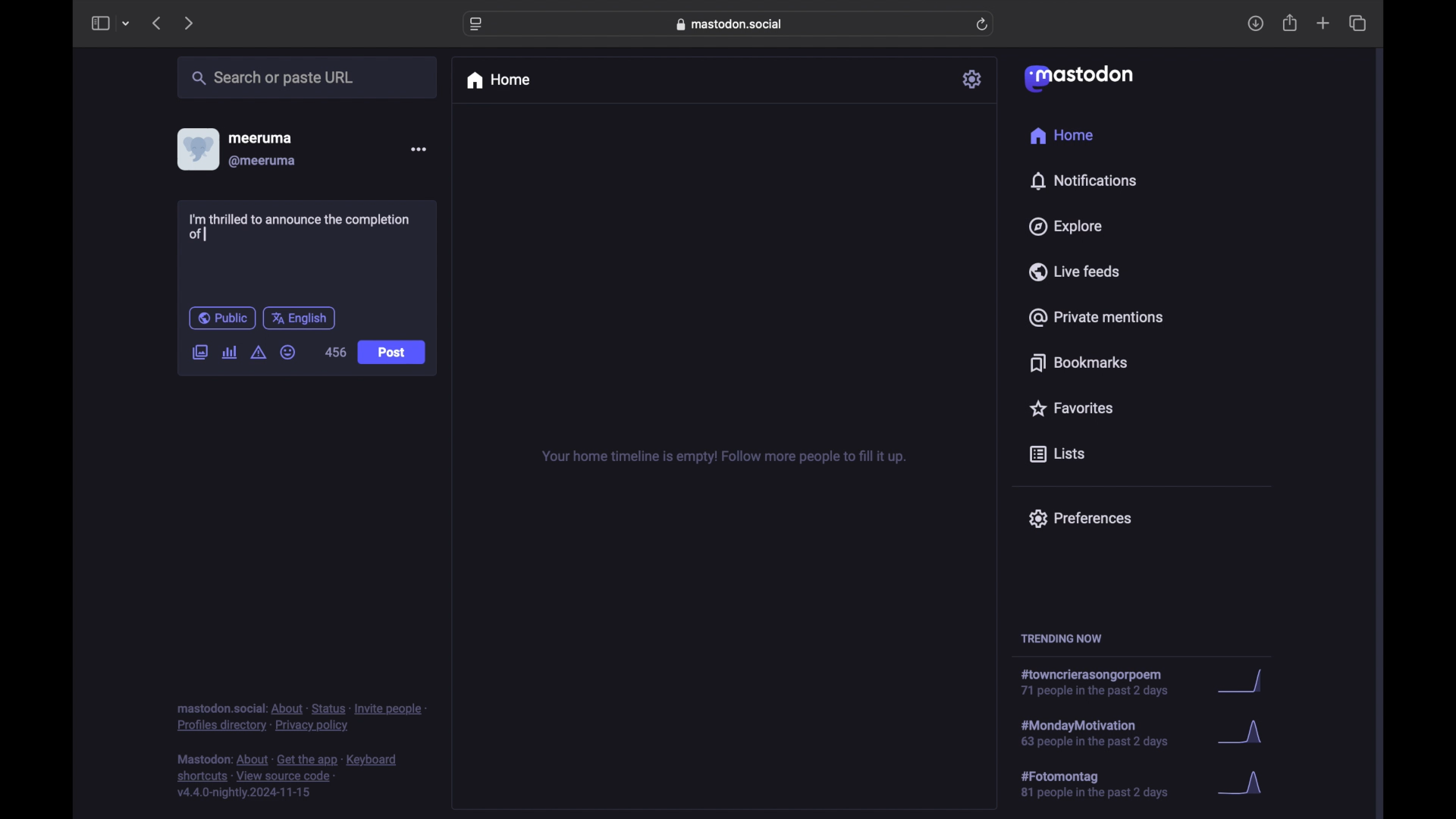  Describe the element at coordinates (1105, 783) in the screenshot. I see `hashtag trend` at that location.